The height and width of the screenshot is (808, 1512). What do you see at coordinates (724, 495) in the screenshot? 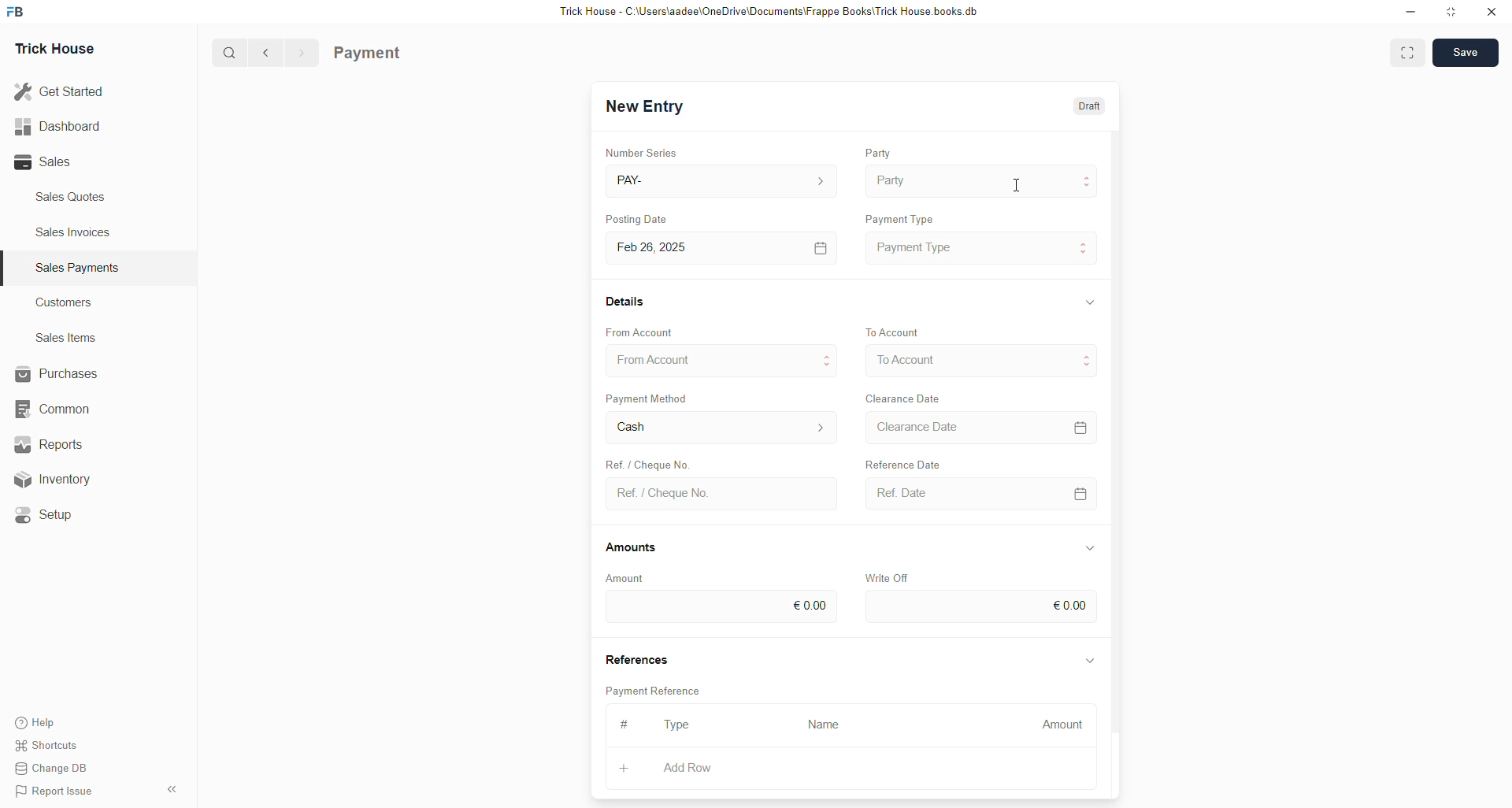
I see `Ref. / Cheque No.` at bounding box center [724, 495].